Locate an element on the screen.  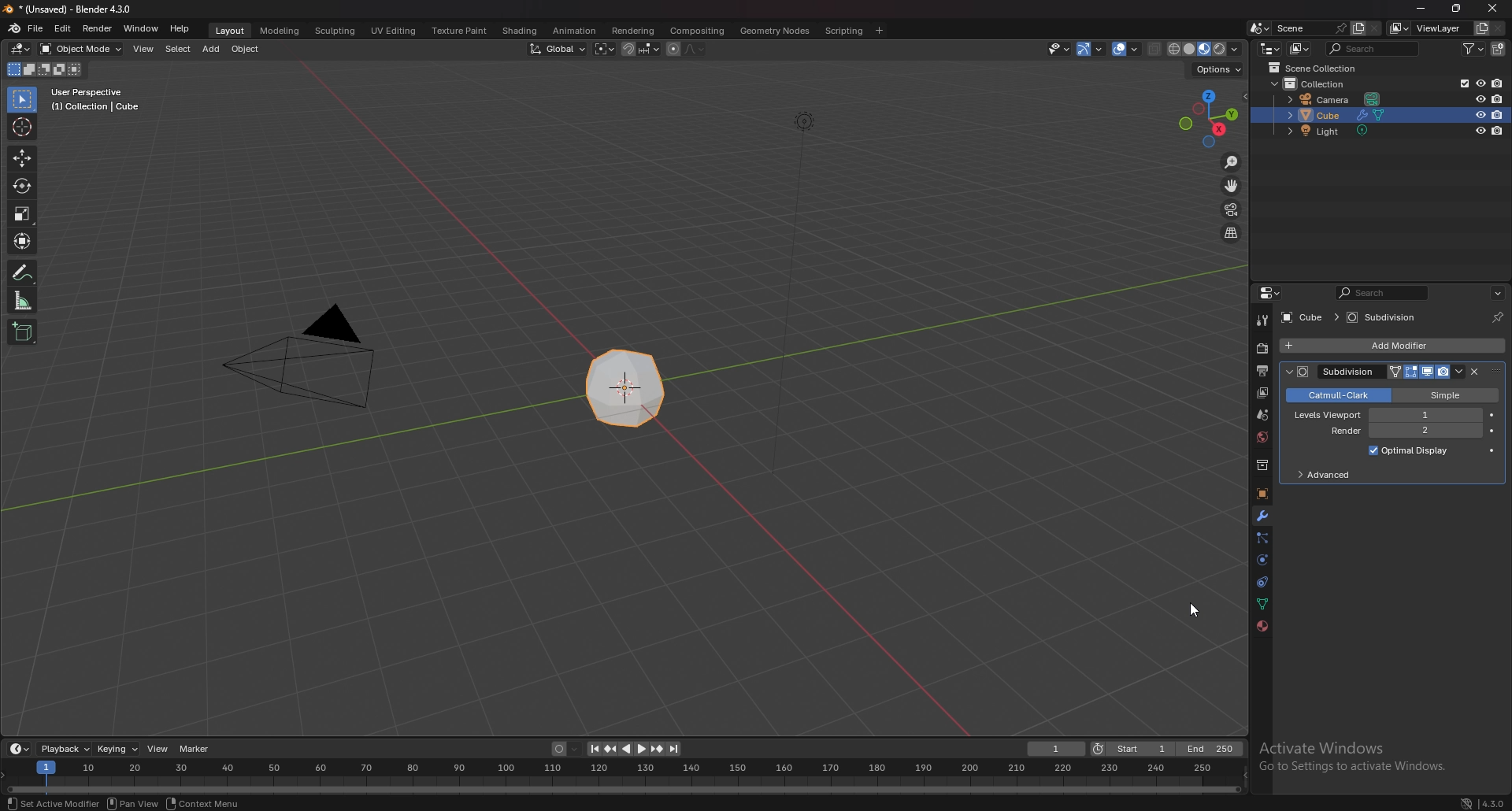
add is located at coordinates (212, 49).